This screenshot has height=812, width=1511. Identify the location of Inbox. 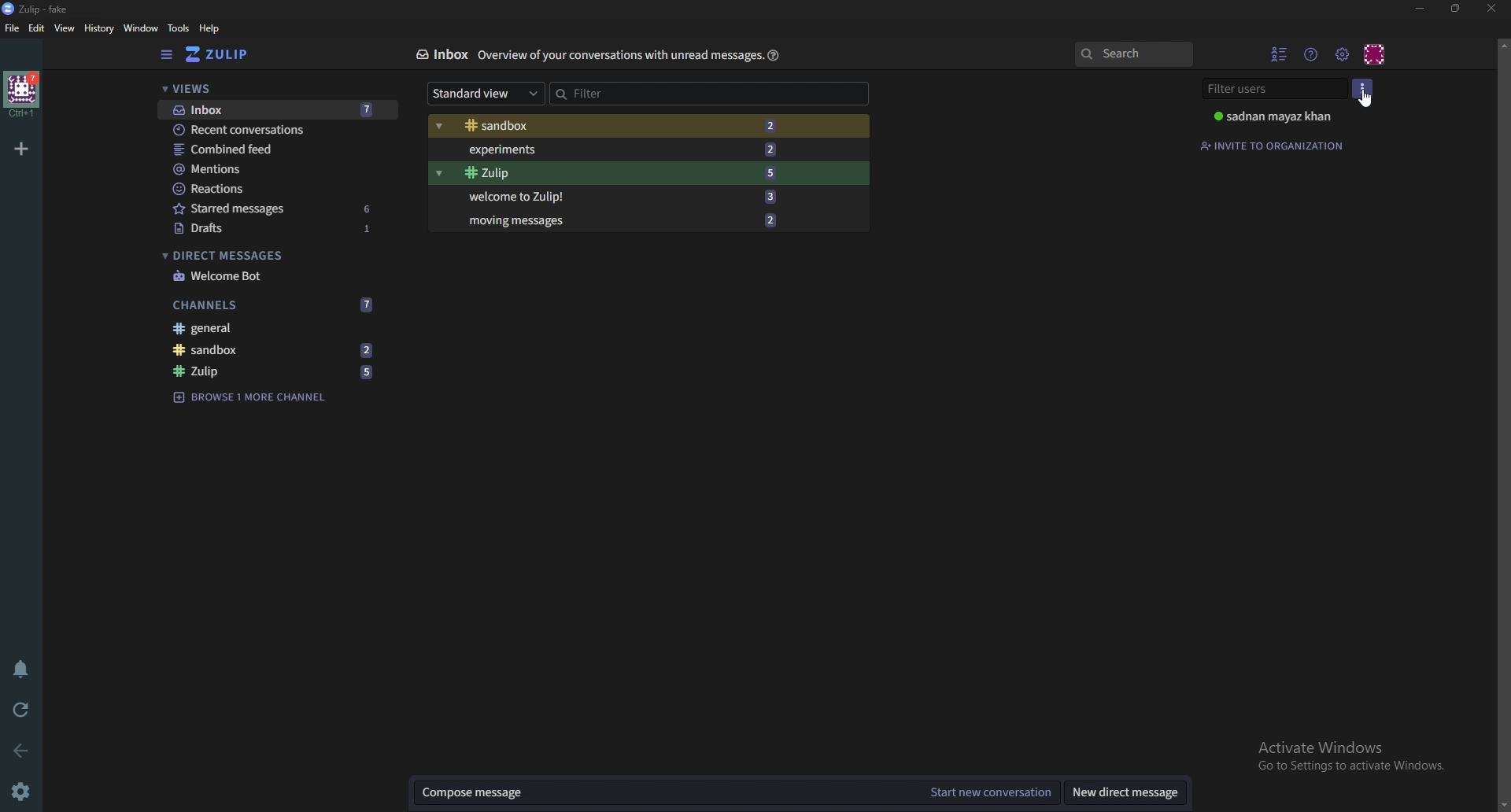
(441, 55).